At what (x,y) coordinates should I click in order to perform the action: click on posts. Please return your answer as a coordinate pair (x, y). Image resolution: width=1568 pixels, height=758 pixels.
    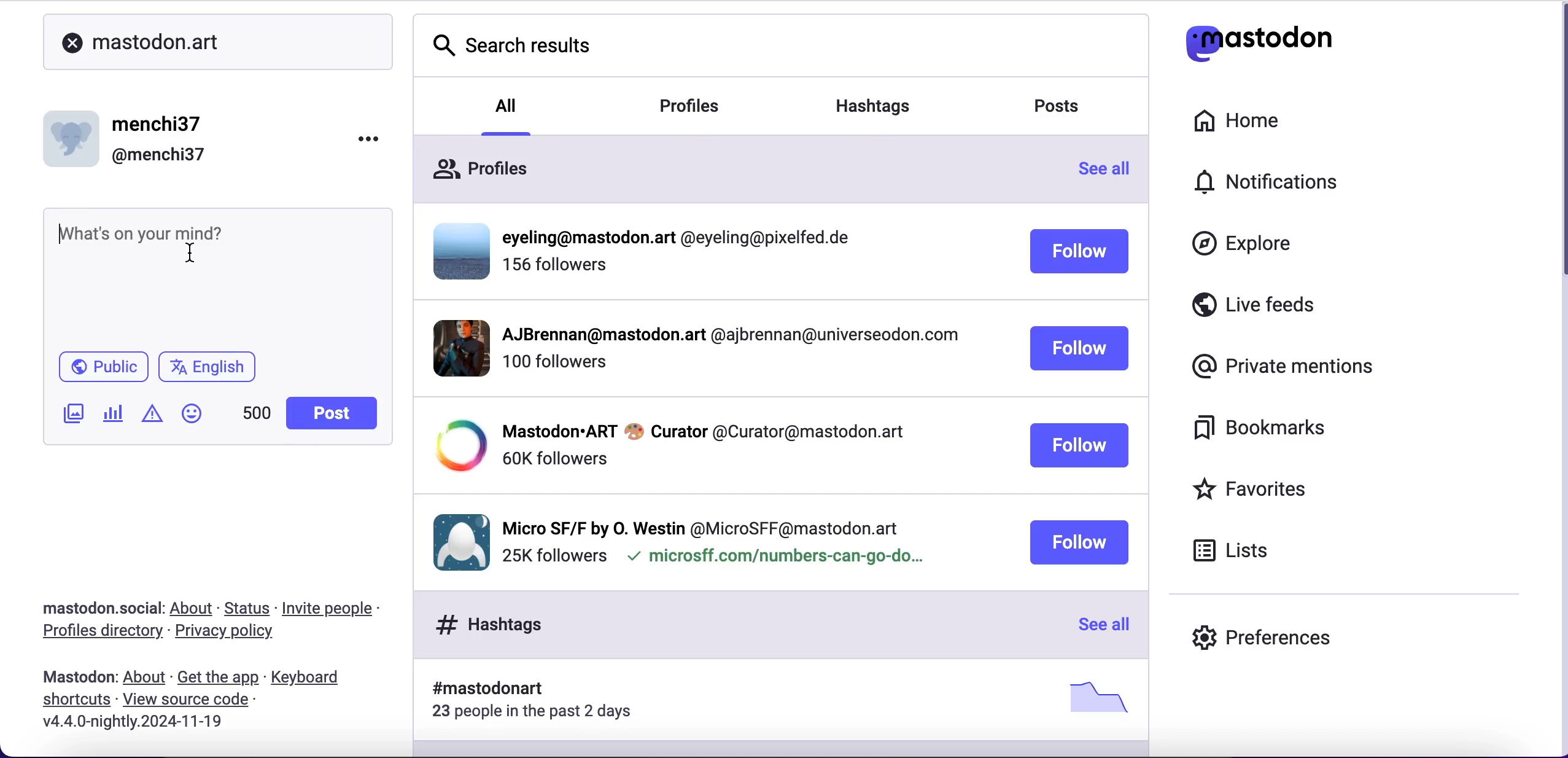
    Looking at the image, I should click on (1052, 107).